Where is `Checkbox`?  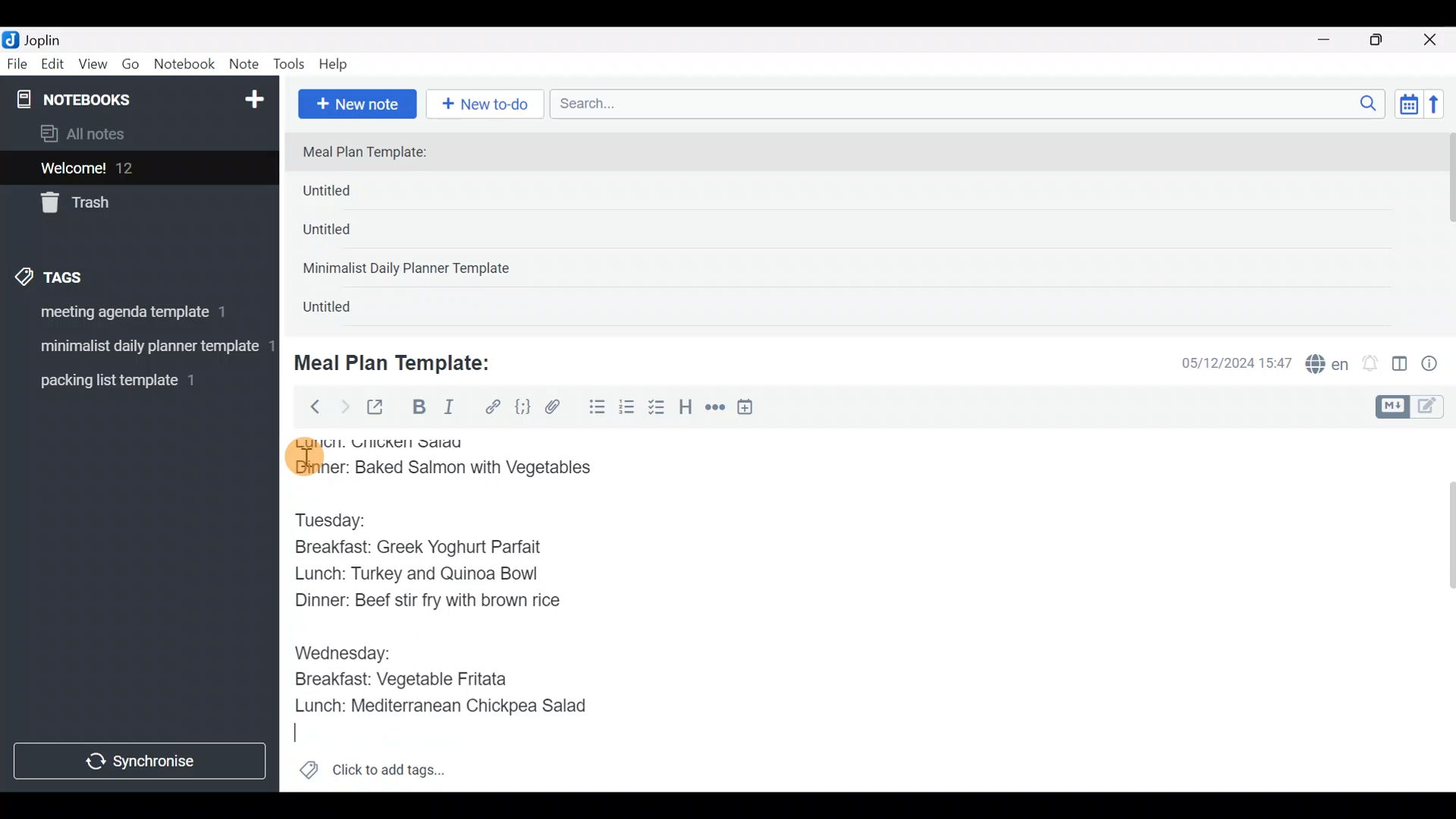
Checkbox is located at coordinates (658, 409).